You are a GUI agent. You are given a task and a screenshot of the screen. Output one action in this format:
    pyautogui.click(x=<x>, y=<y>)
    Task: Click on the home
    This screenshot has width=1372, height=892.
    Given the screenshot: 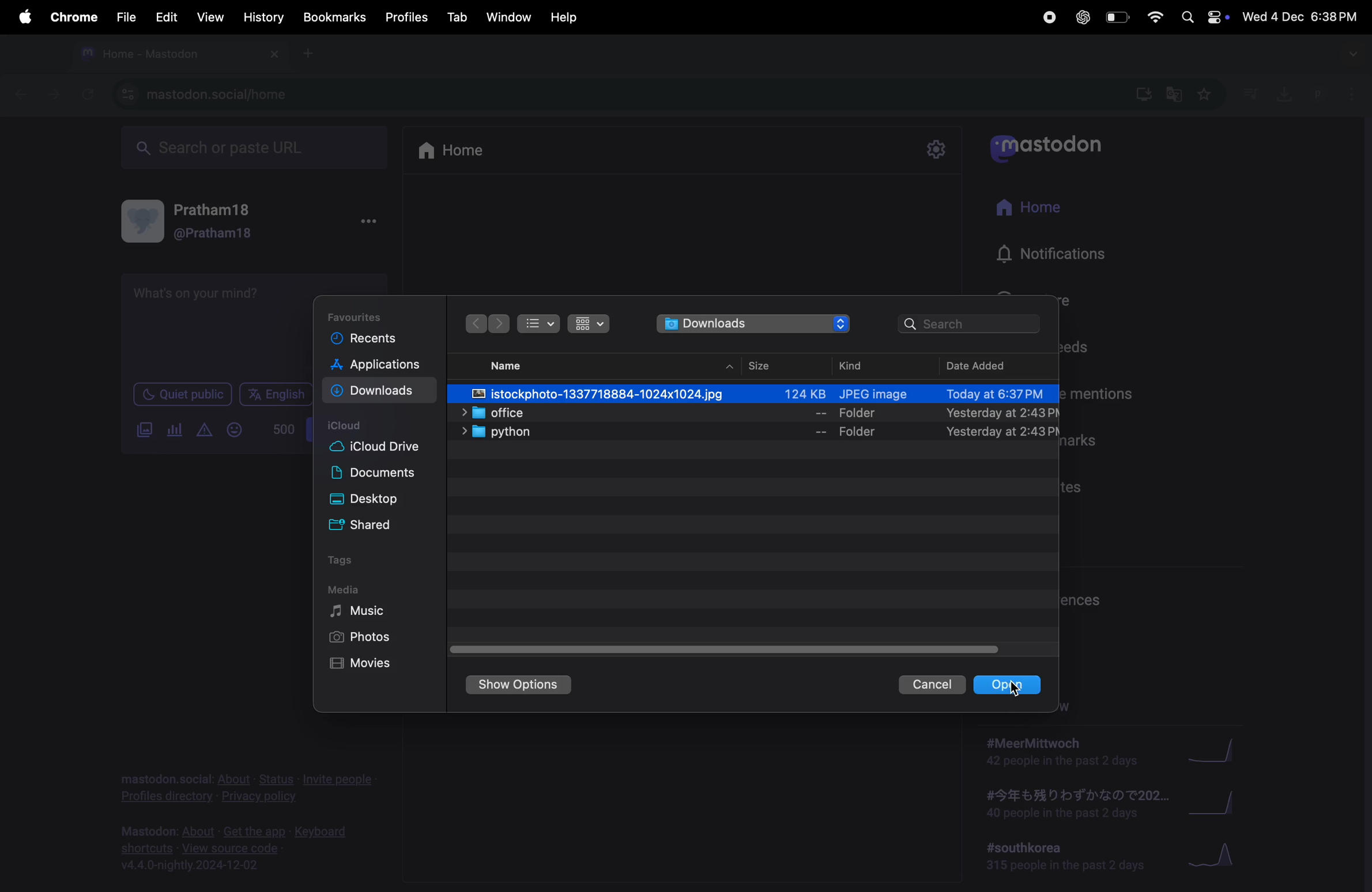 What is the action you would take?
    pyautogui.click(x=462, y=152)
    